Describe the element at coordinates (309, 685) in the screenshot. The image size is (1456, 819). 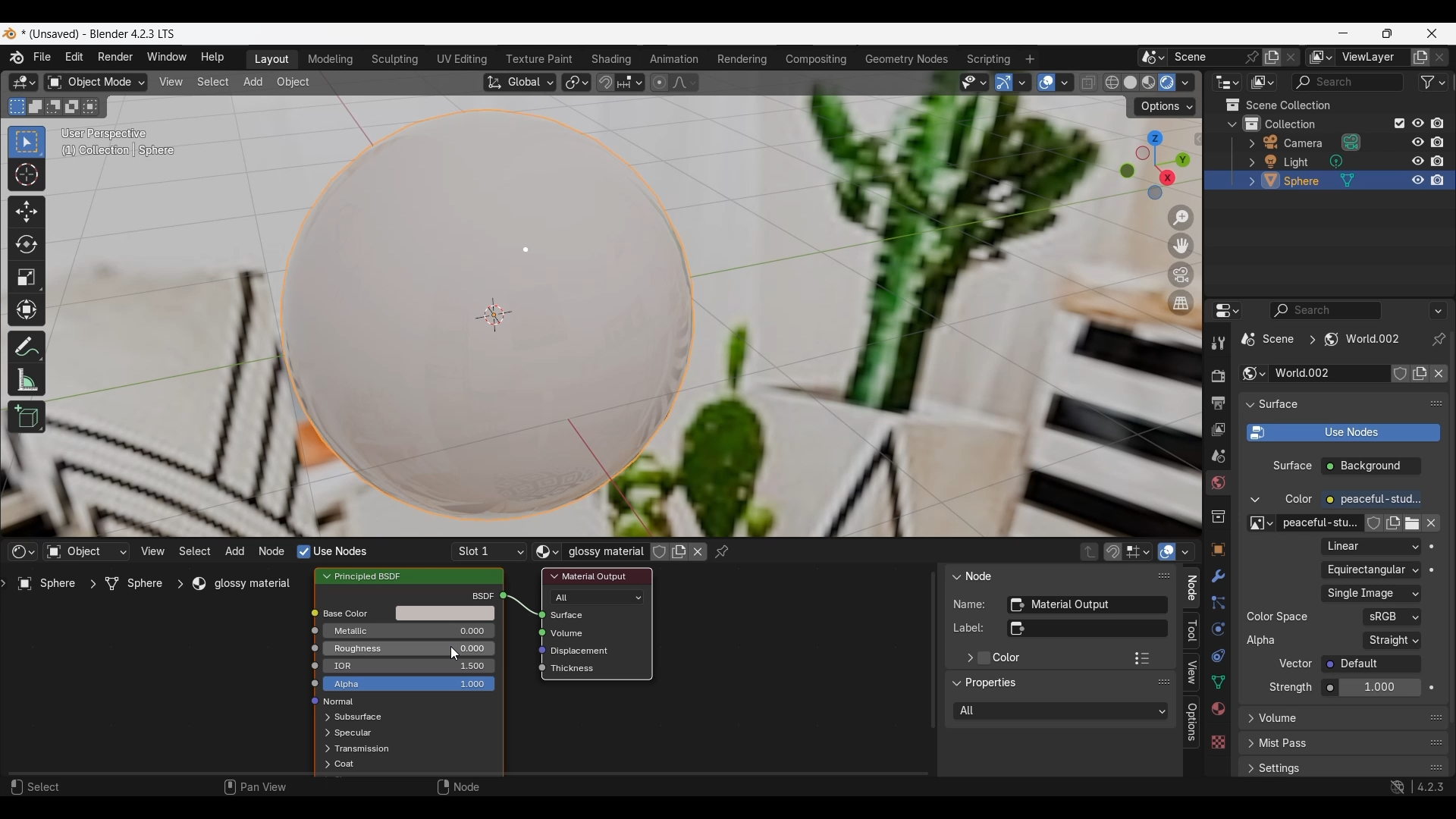
I see `icon` at that location.